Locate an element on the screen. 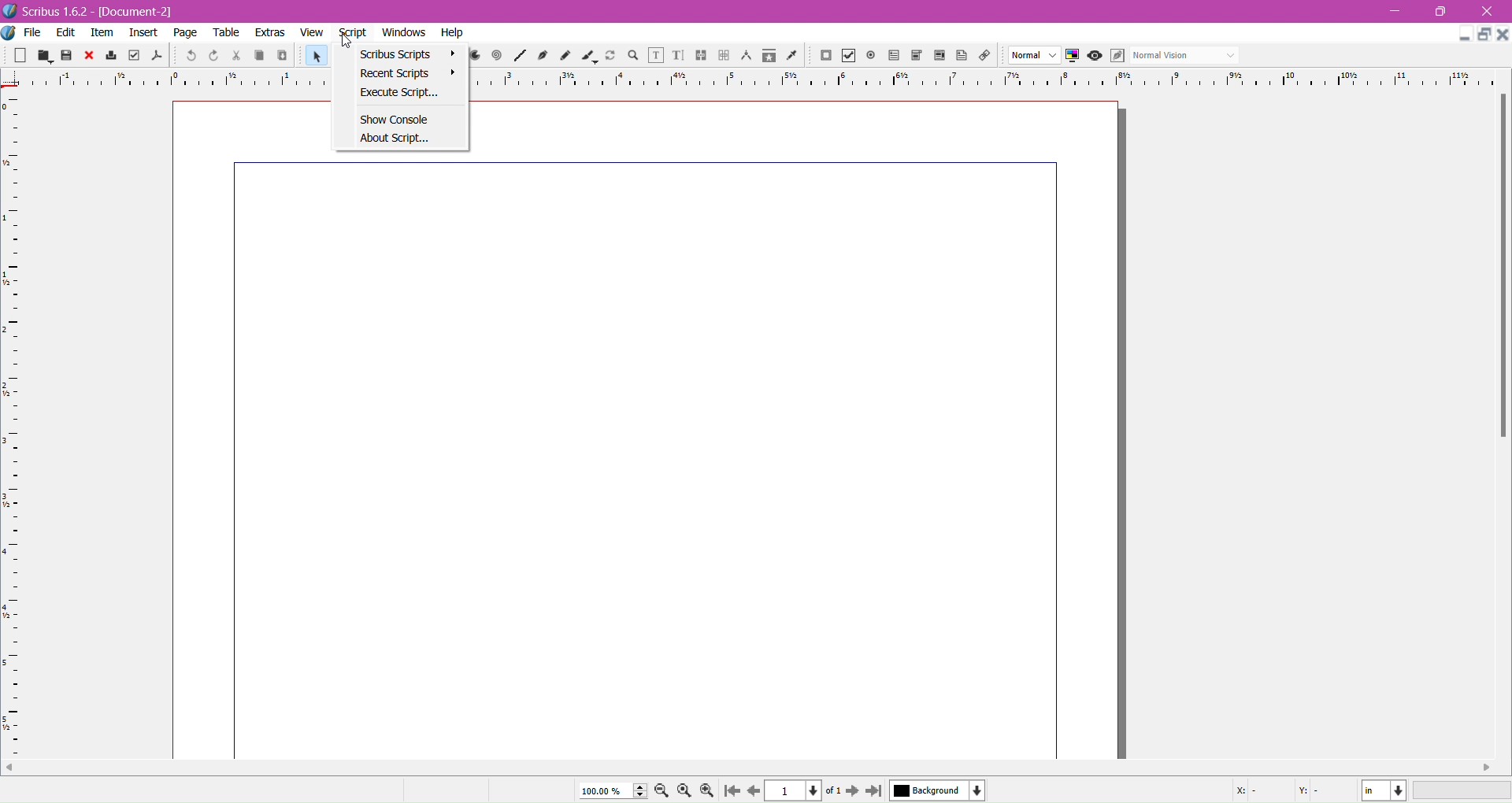  Table is located at coordinates (227, 33).